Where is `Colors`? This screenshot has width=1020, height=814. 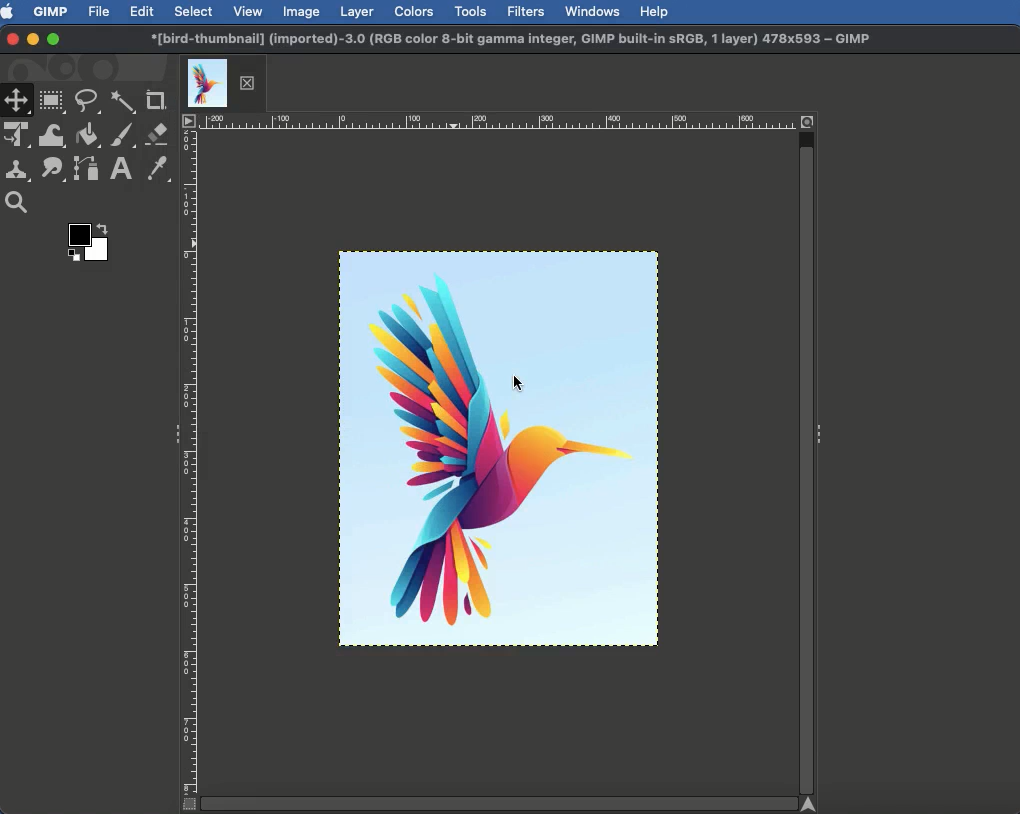 Colors is located at coordinates (413, 12).